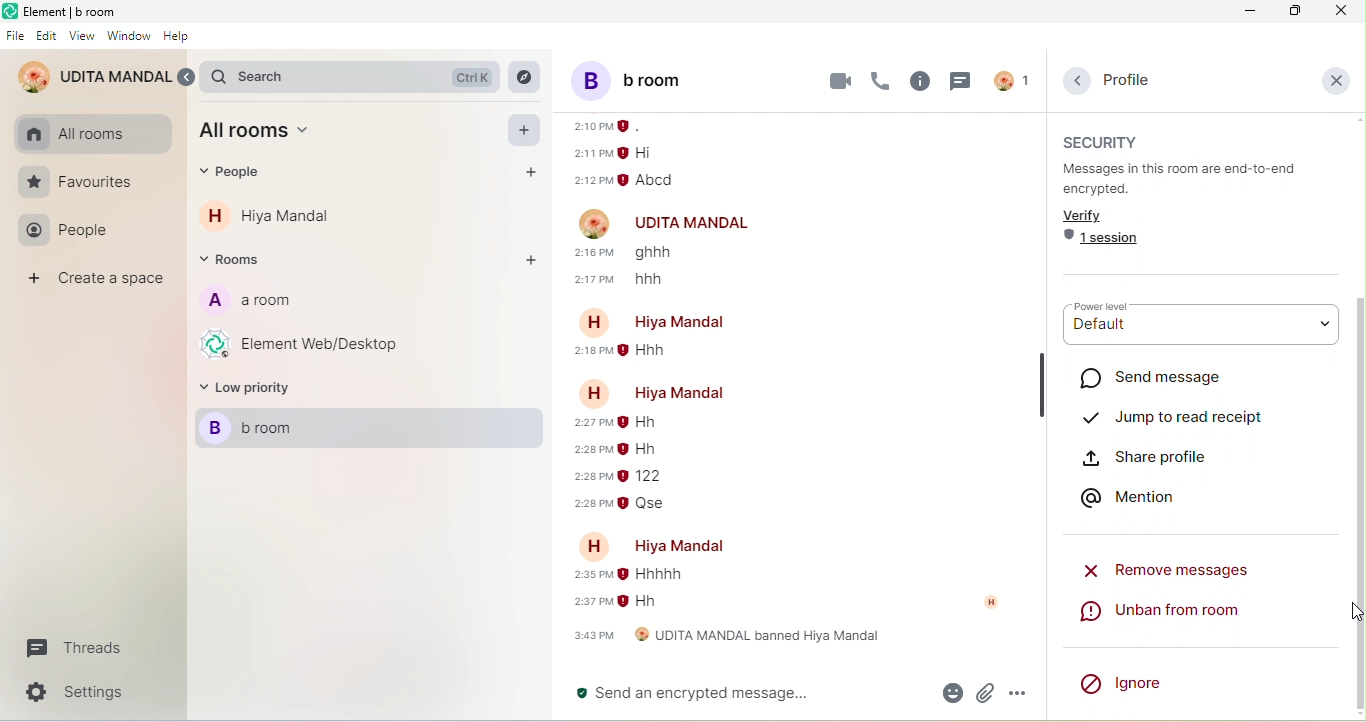 The width and height of the screenshot is (1366, 722). What do you see at coordinates (650, 505) in the screenshot?
I see `qse-older message from hiya mandal` at bounding box center [650, 505].